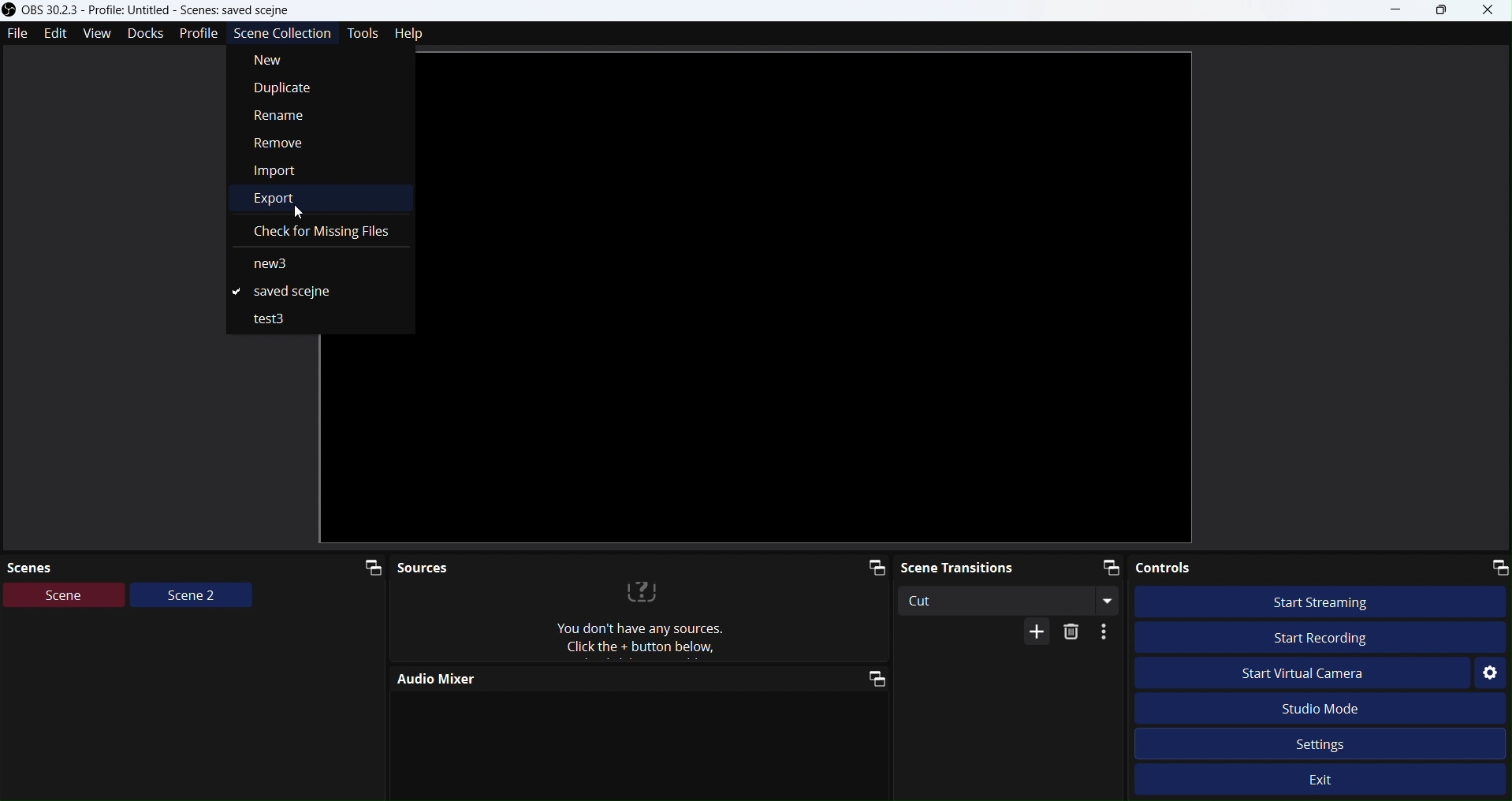 The height and width of the screenshot is (801, 1512). I want to click on Controls, so click(1322, 568).